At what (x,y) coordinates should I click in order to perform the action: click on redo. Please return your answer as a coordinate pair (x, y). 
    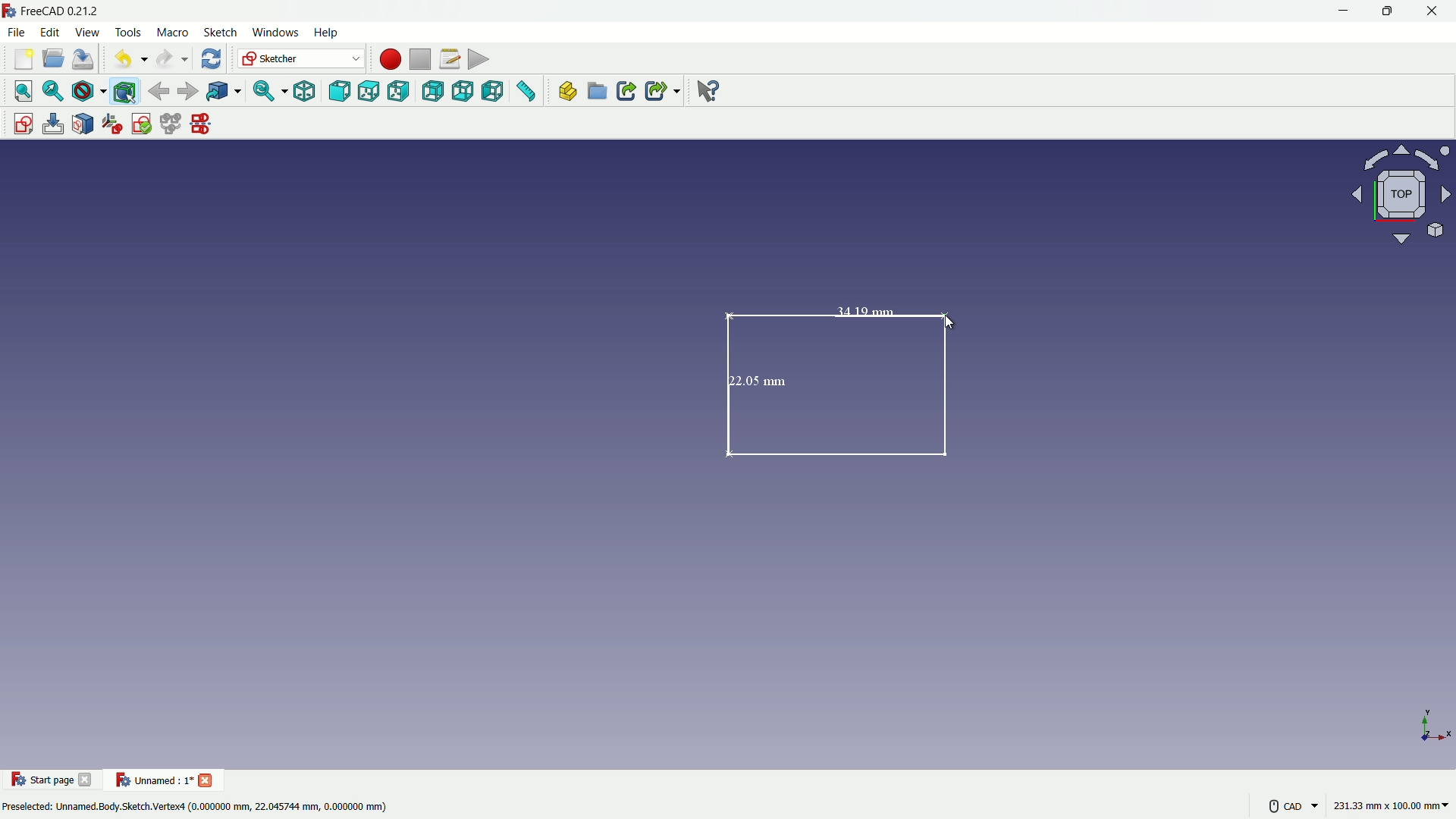
    Looking at the image, I should click on (170, 59).